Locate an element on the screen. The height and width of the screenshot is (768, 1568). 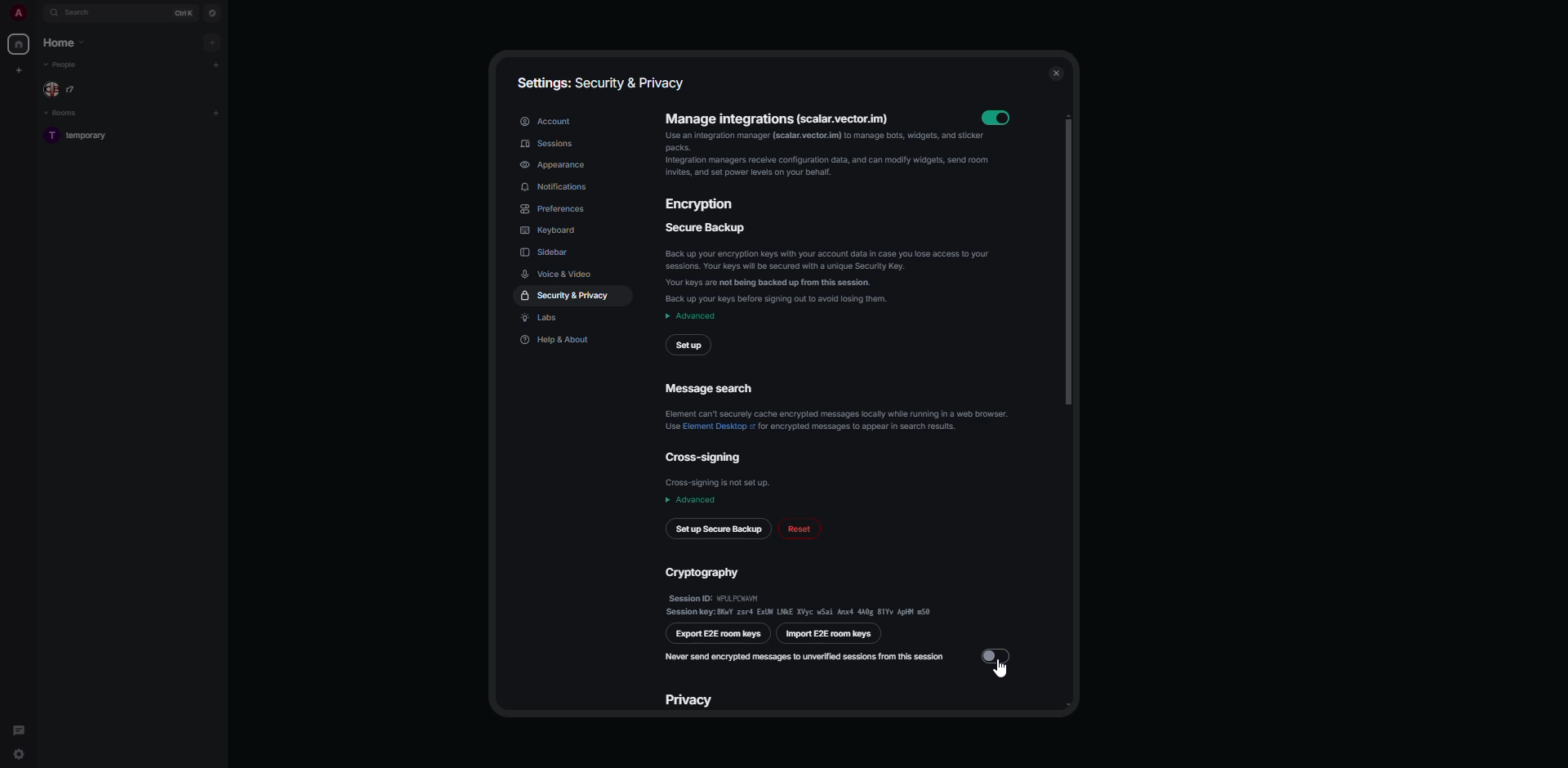
reset is located at coordinates (801, 529).